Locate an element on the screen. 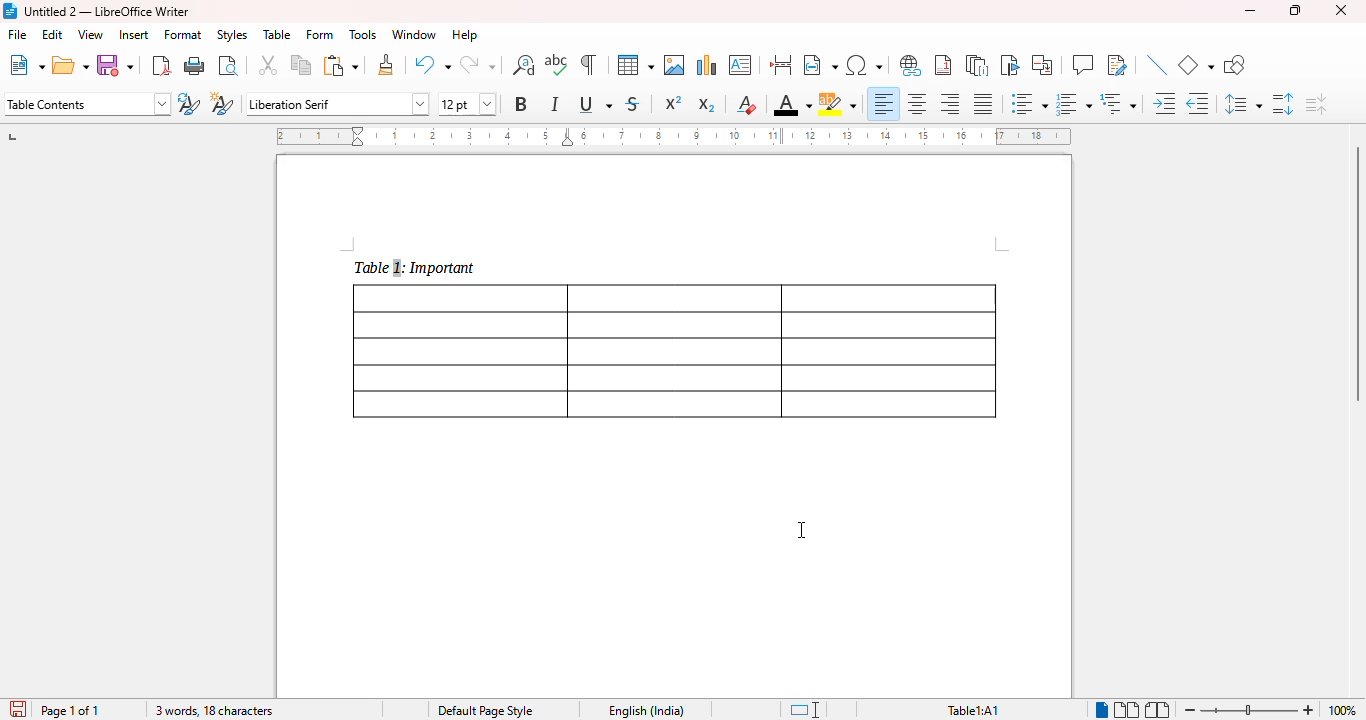 The image size is (1366, 720). increase paragraph spacing is located at coordinates (1283, 104).